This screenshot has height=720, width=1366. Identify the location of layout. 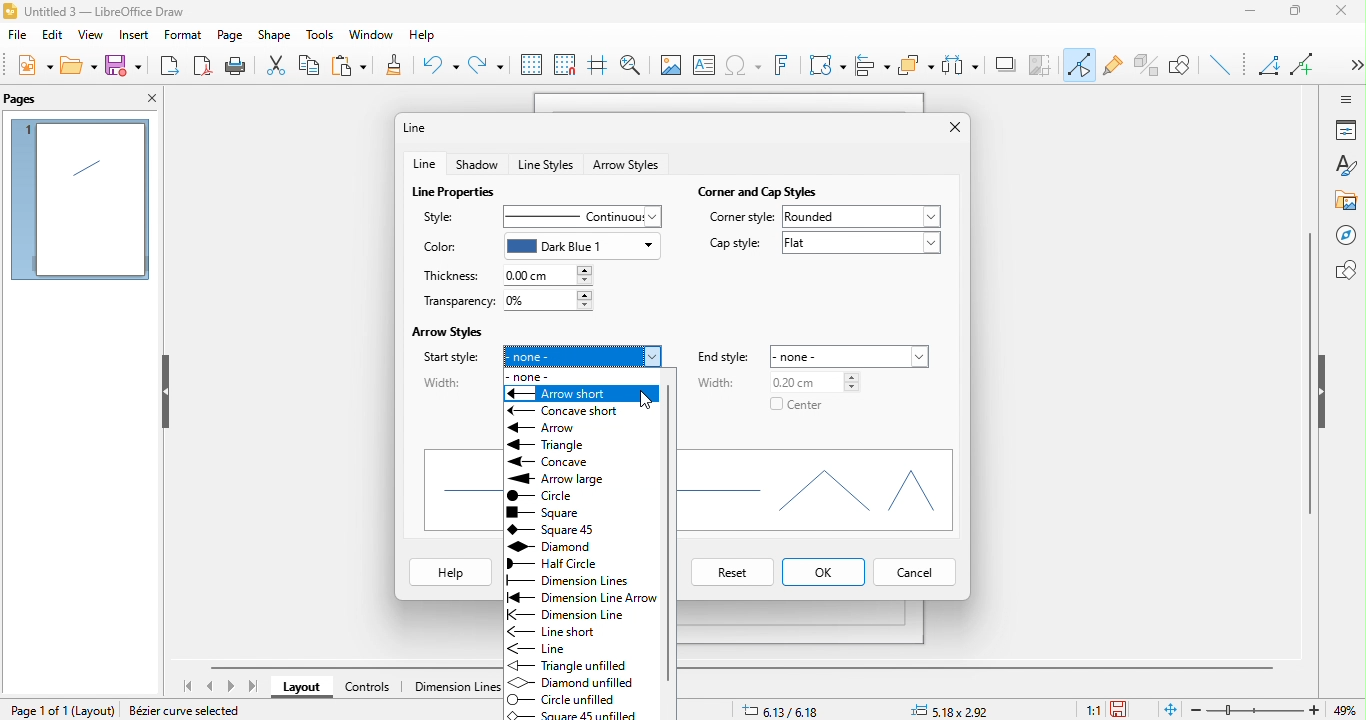
(301, 689).